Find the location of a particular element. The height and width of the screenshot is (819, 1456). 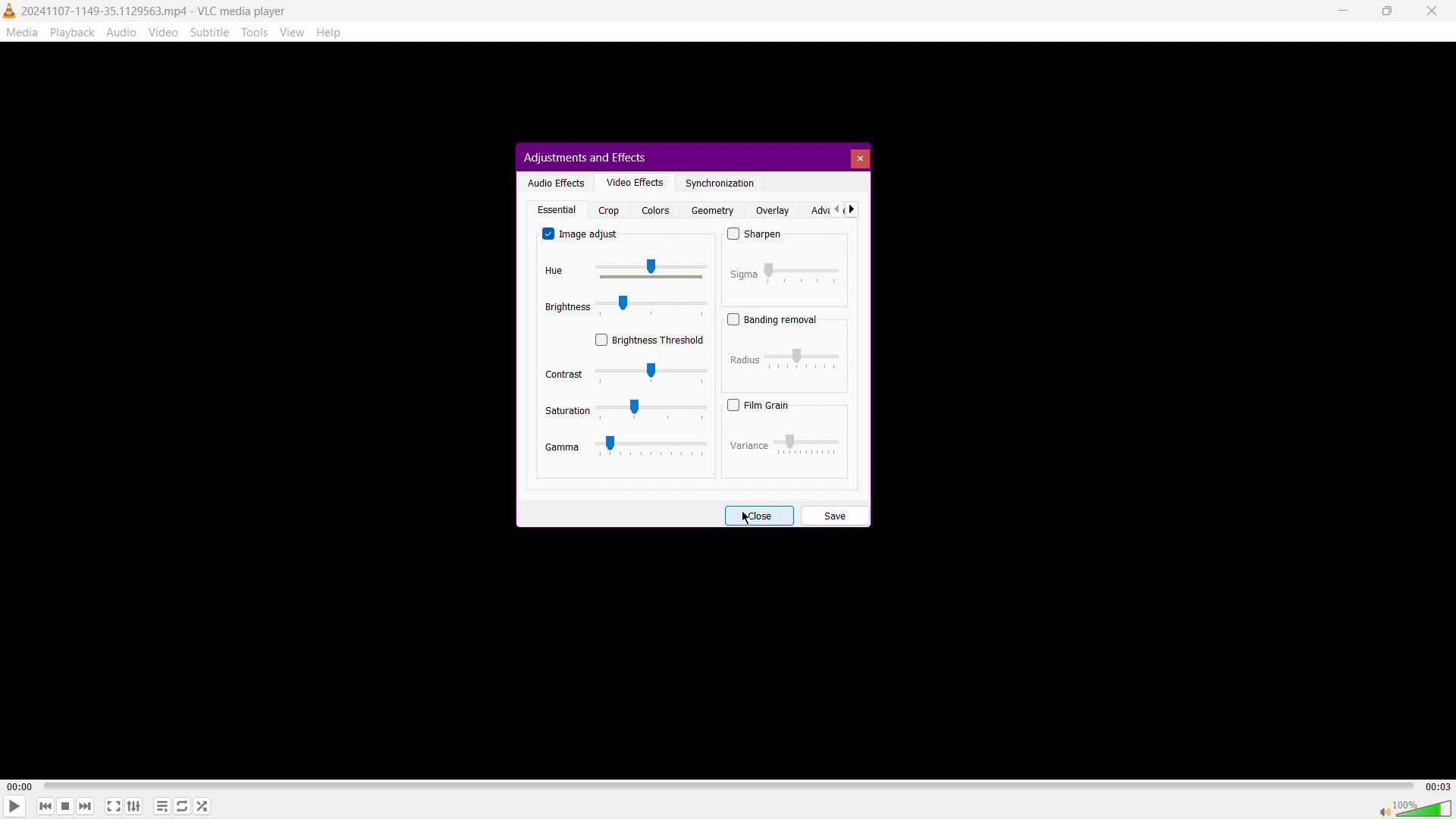

Saturation is located at coordinates (626, 410).